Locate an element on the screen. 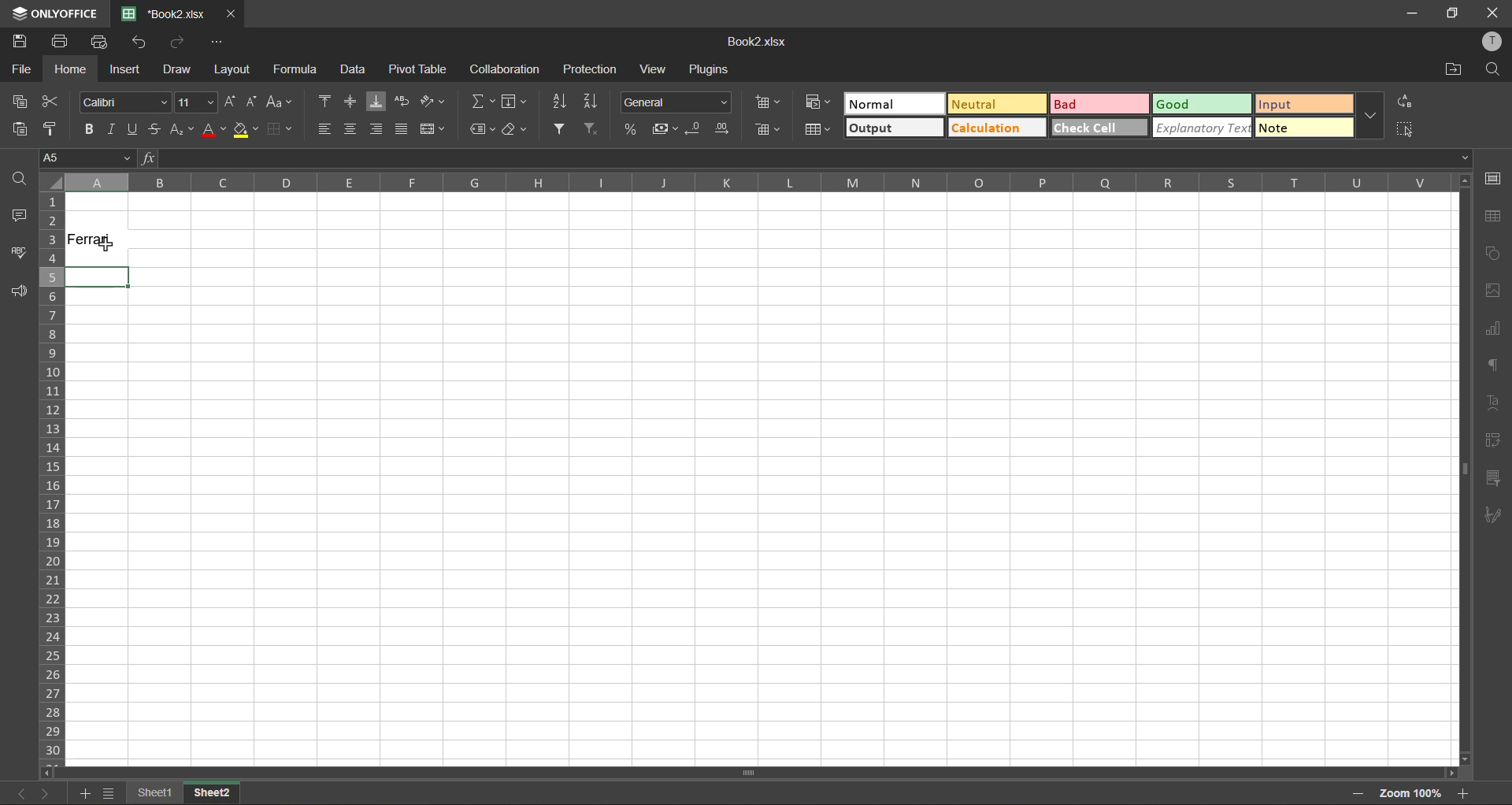  explanatory text is located at coordinates (1203, 129).